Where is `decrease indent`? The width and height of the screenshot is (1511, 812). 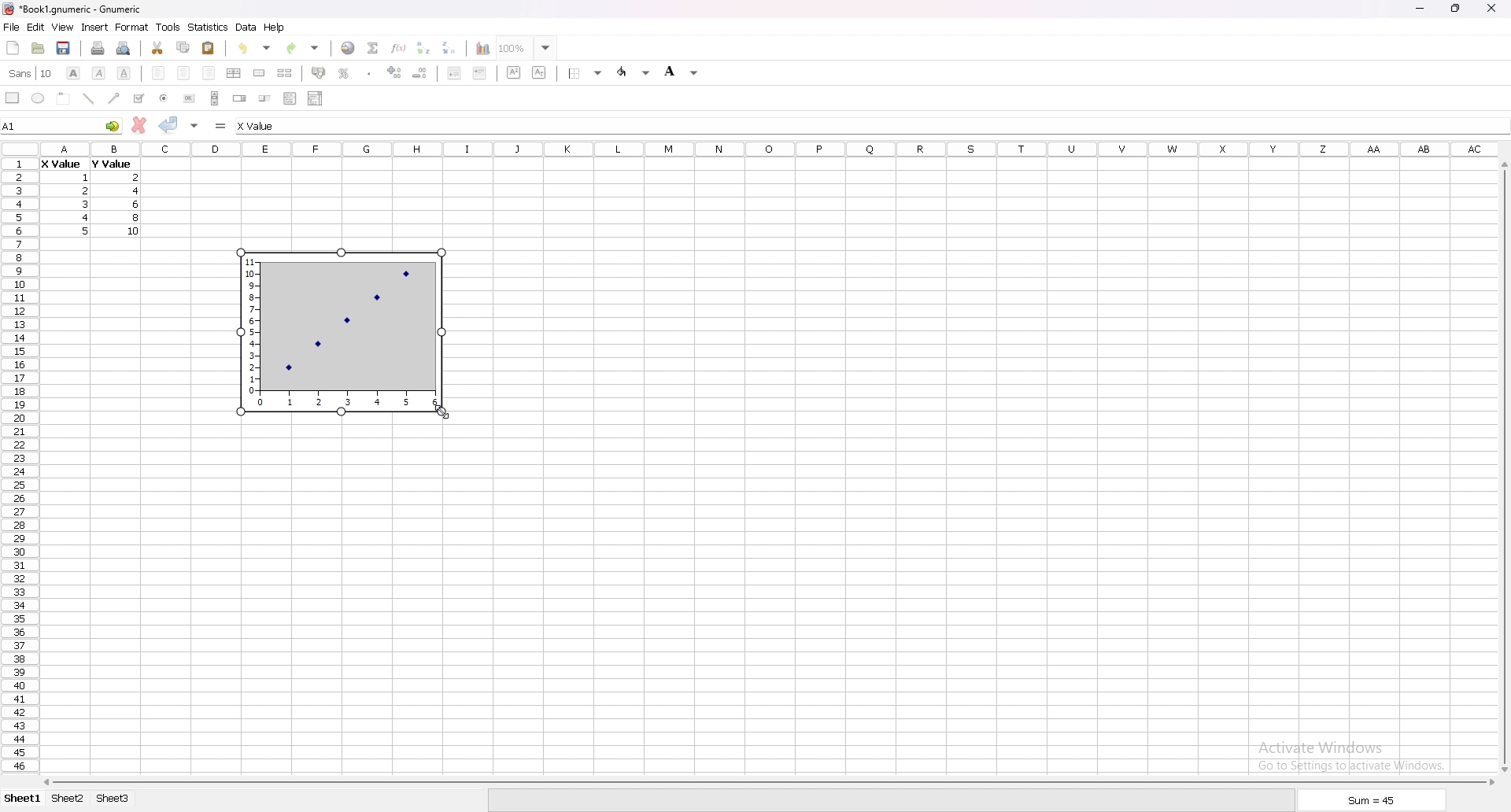 decrease indent is located at coordinates (455, 72).